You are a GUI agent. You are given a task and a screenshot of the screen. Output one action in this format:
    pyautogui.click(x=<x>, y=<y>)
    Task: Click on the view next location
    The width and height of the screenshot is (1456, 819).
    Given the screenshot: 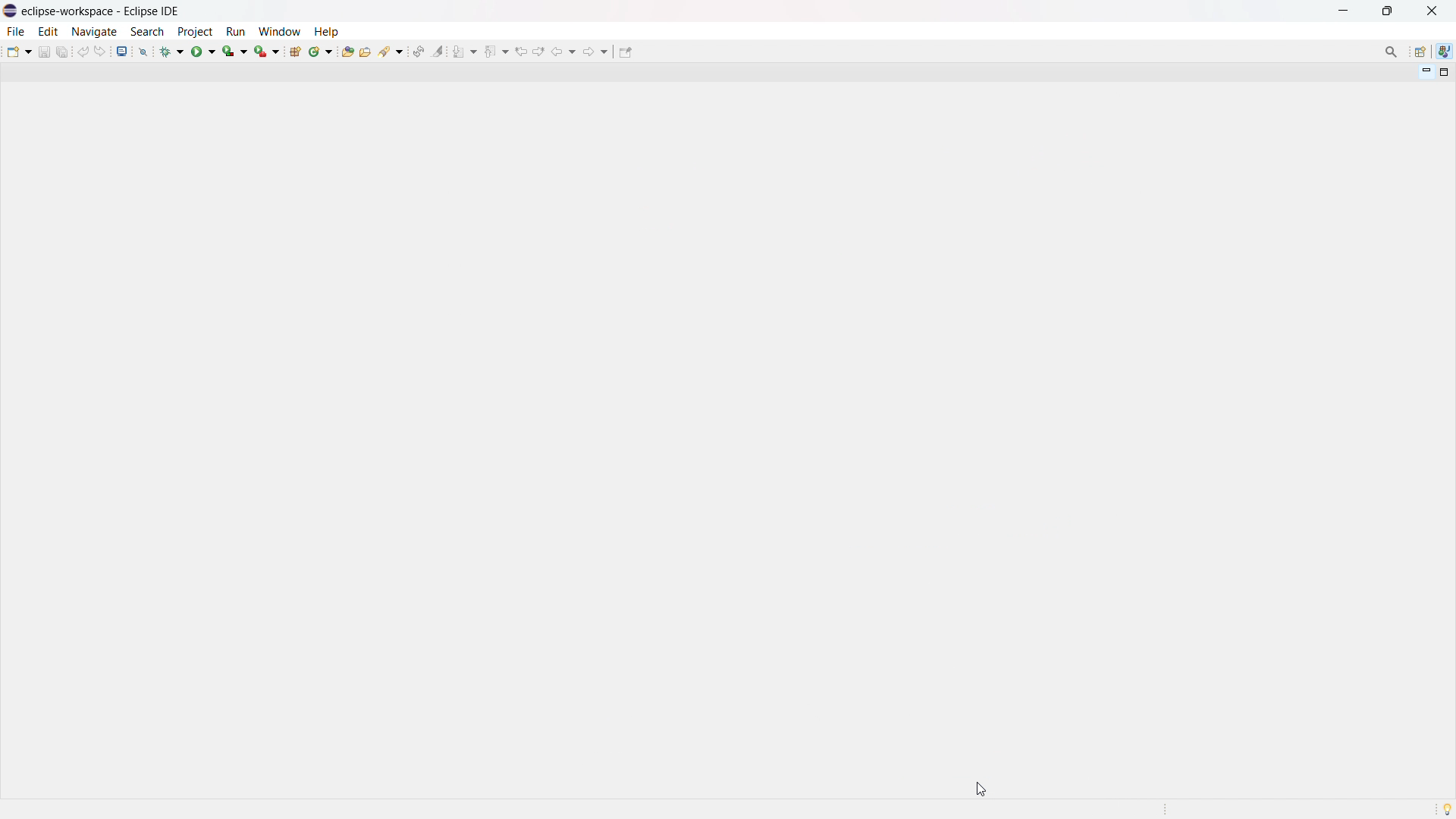 What is the action you would take?
    pyautogui.click(x=538, y=50)
    